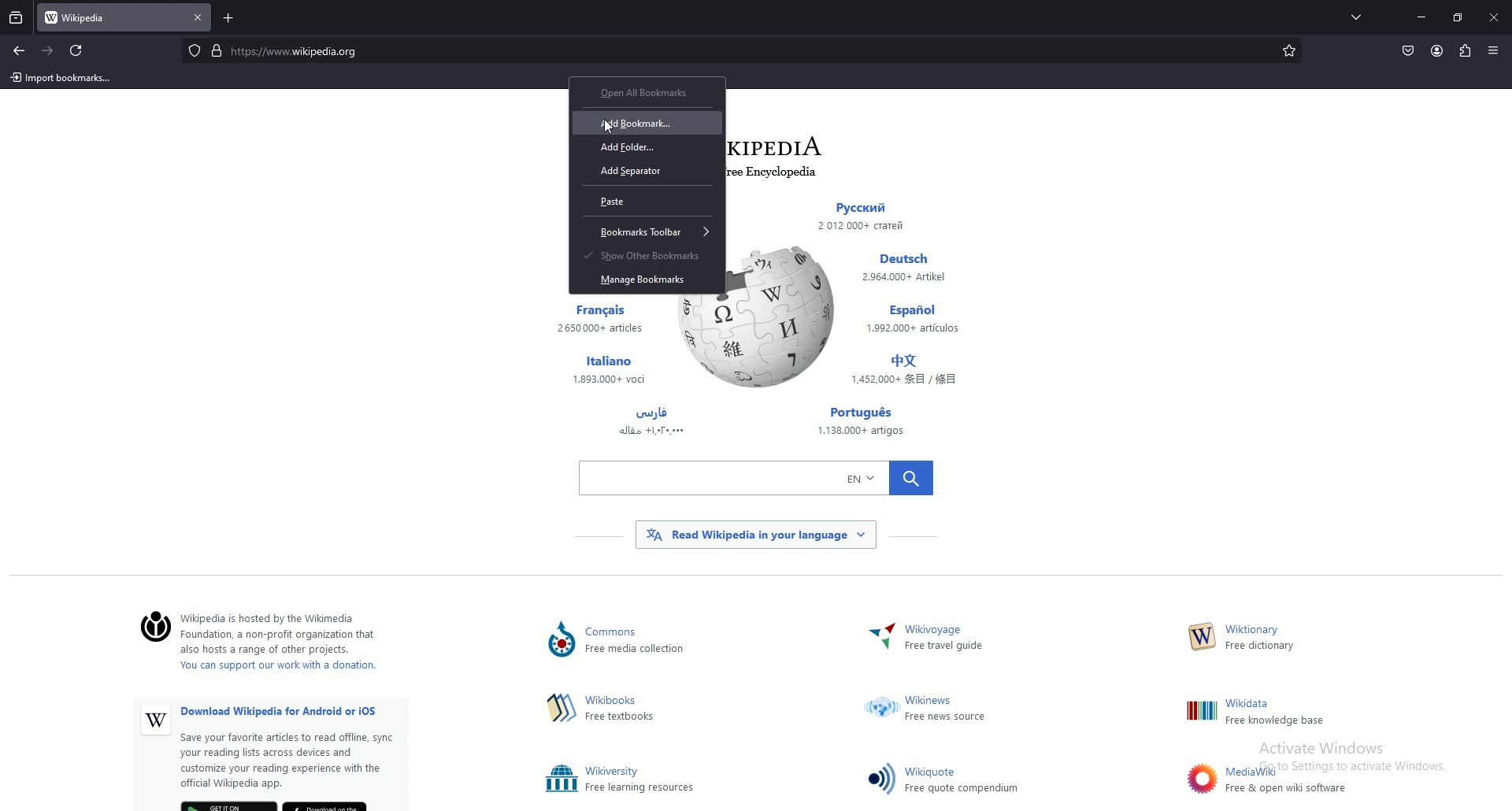 The image size is (1512, 811). What do you see at coordinates (598, 320) in the screenshot?
I see `` at bounding box center [598, 320].